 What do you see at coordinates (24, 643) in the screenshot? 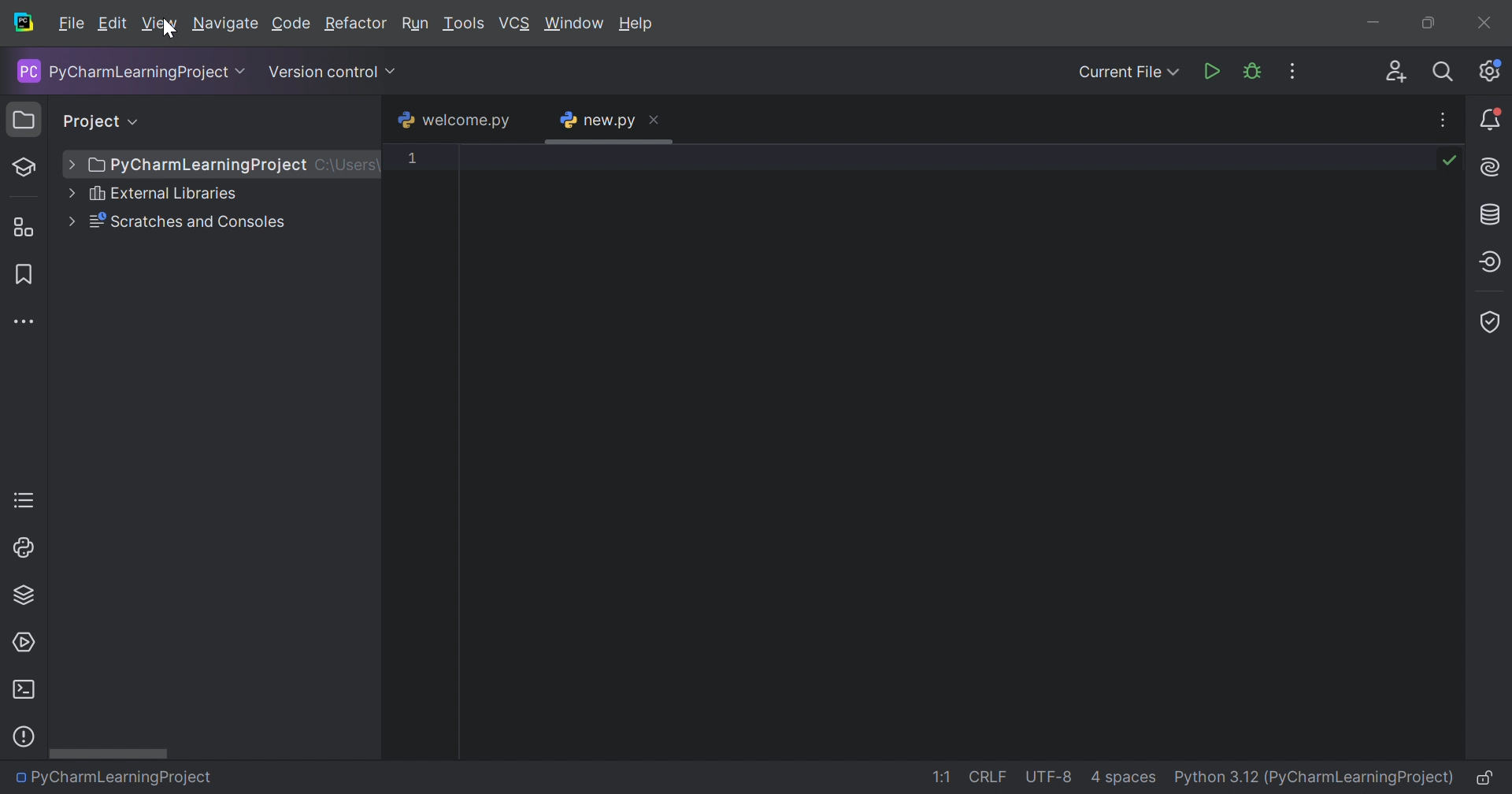
I see `Services` at bounding box center [24, 643].